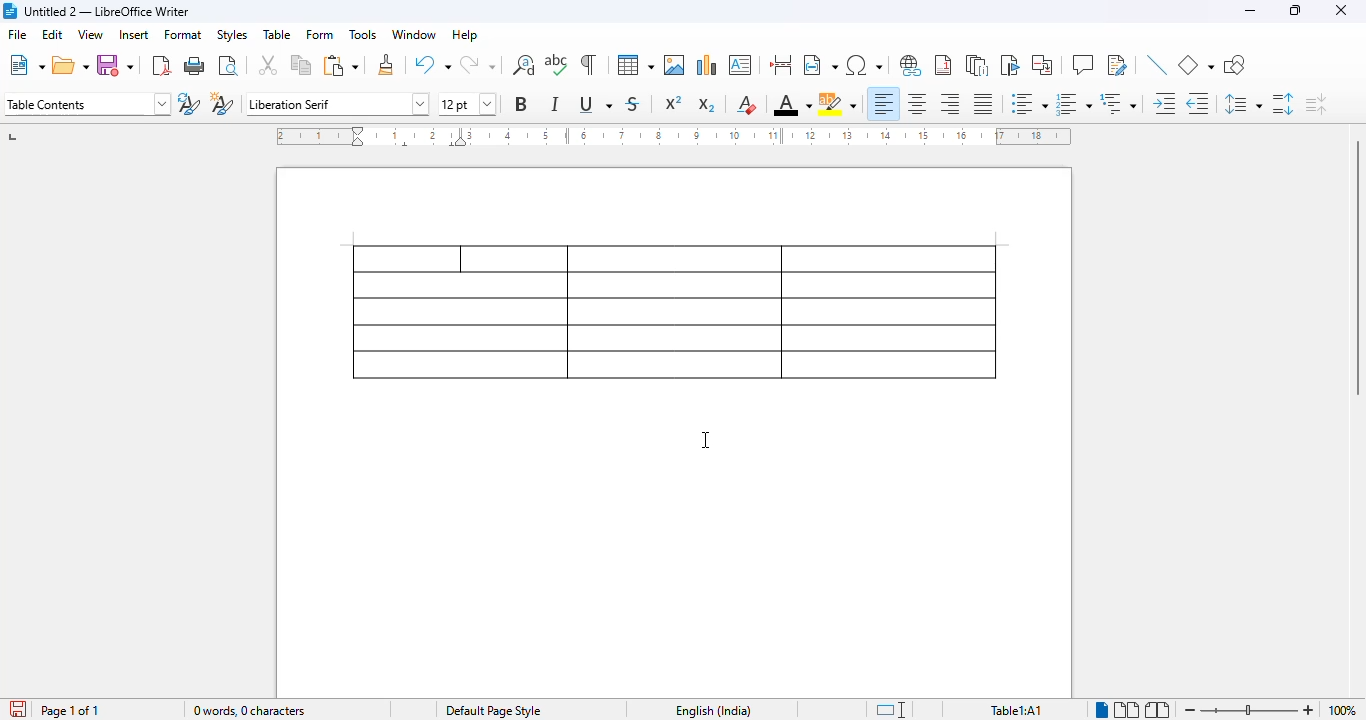 The height and width of the screenshot is (720, 1366). Describe the element at coordinates (1103, 710) in the screenshot. I see `single-page view` at that location.